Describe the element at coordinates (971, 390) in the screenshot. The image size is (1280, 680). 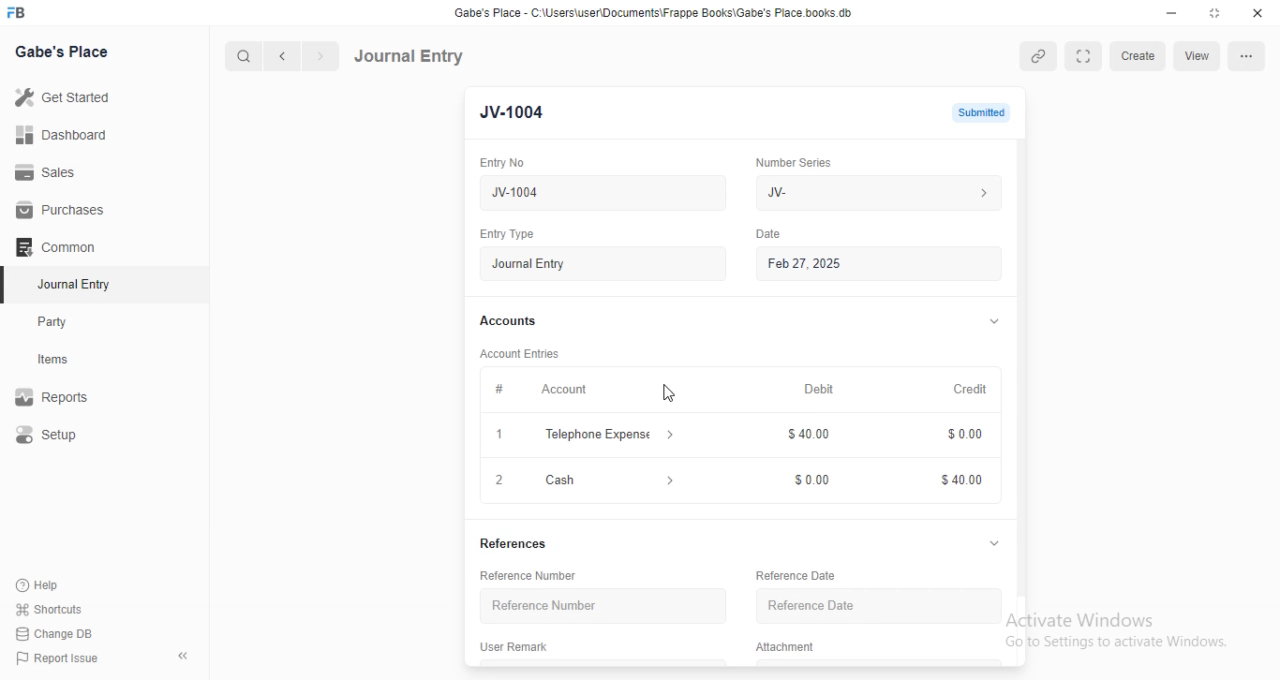
I see `Credit` at that location.